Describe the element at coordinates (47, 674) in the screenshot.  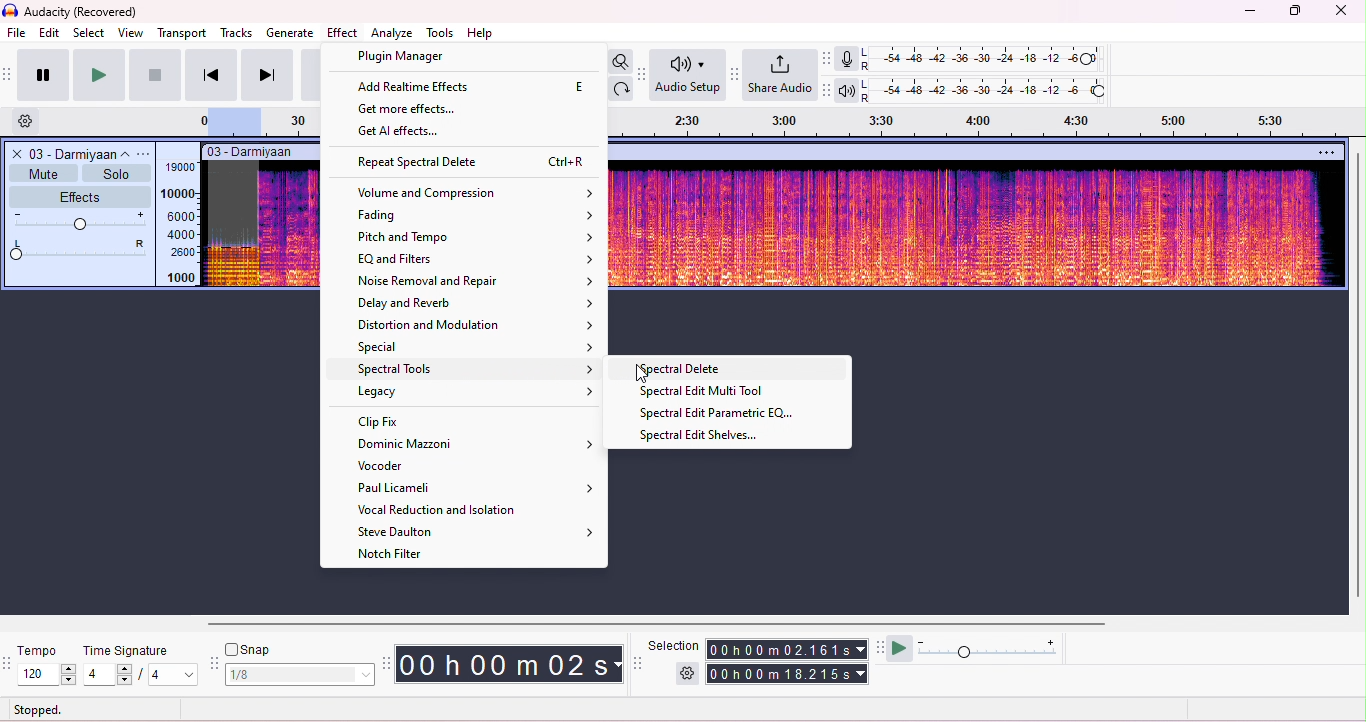
I see `select tempo` at that location.